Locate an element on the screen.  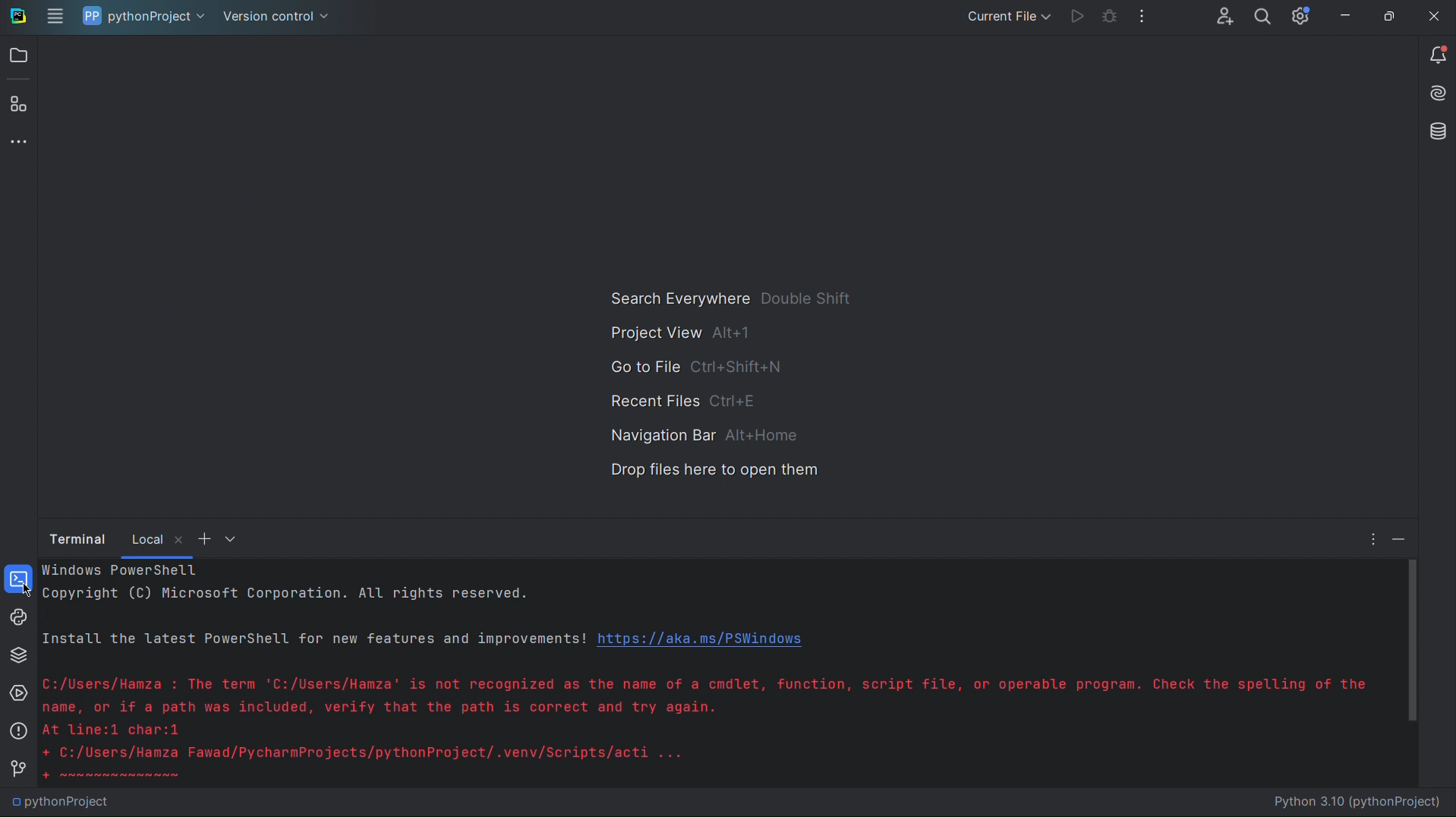
Application Menu is located at coordinates (55, 16).